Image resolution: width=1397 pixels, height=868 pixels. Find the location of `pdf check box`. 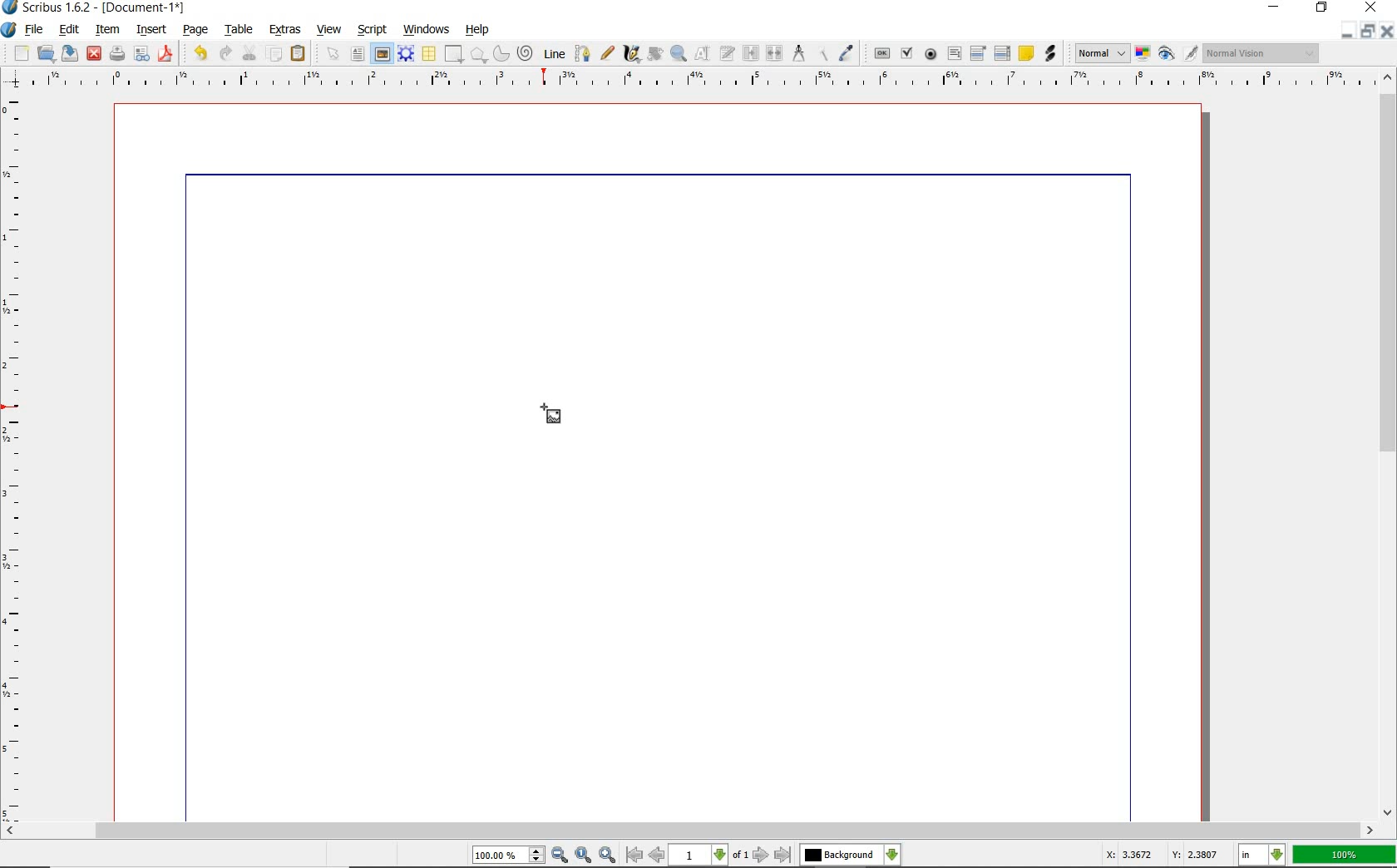

pdf check box is located at coordinates (906, 54).